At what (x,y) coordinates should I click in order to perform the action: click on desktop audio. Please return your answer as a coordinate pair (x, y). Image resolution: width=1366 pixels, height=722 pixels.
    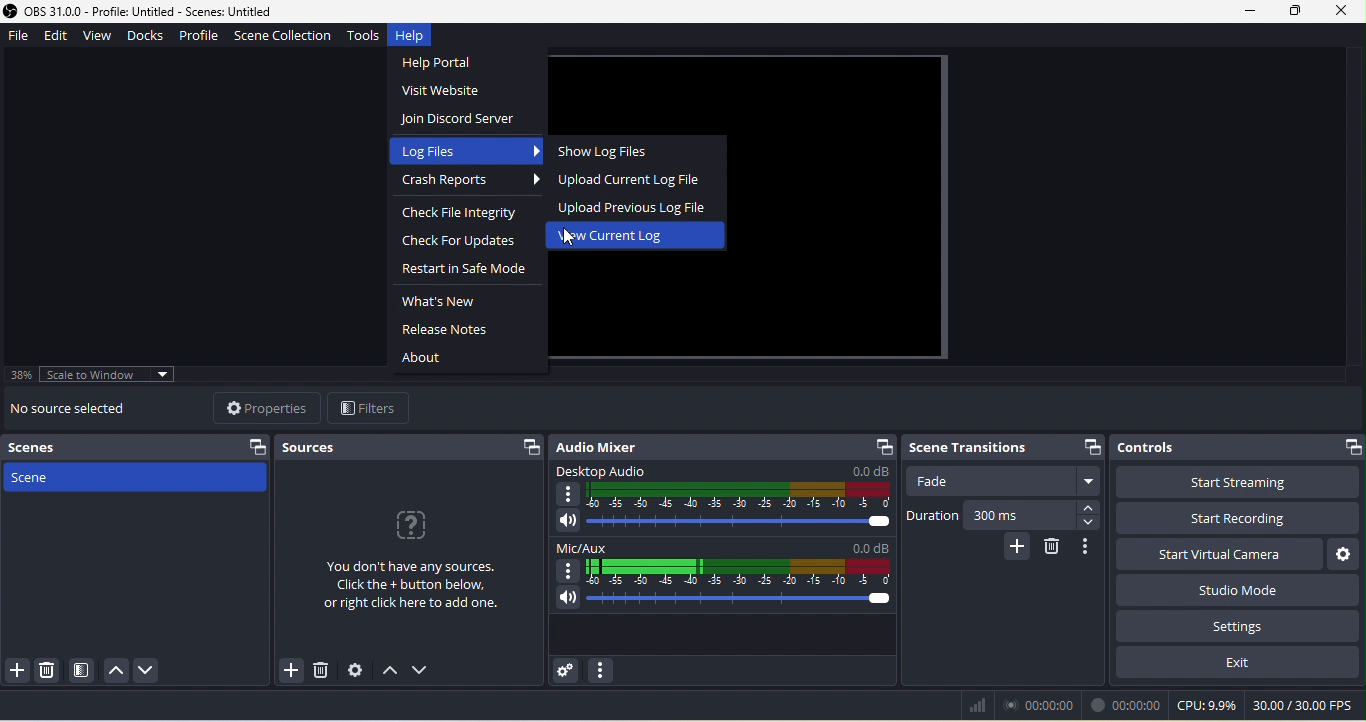
    Looking at the image, I should click on (719, 487).